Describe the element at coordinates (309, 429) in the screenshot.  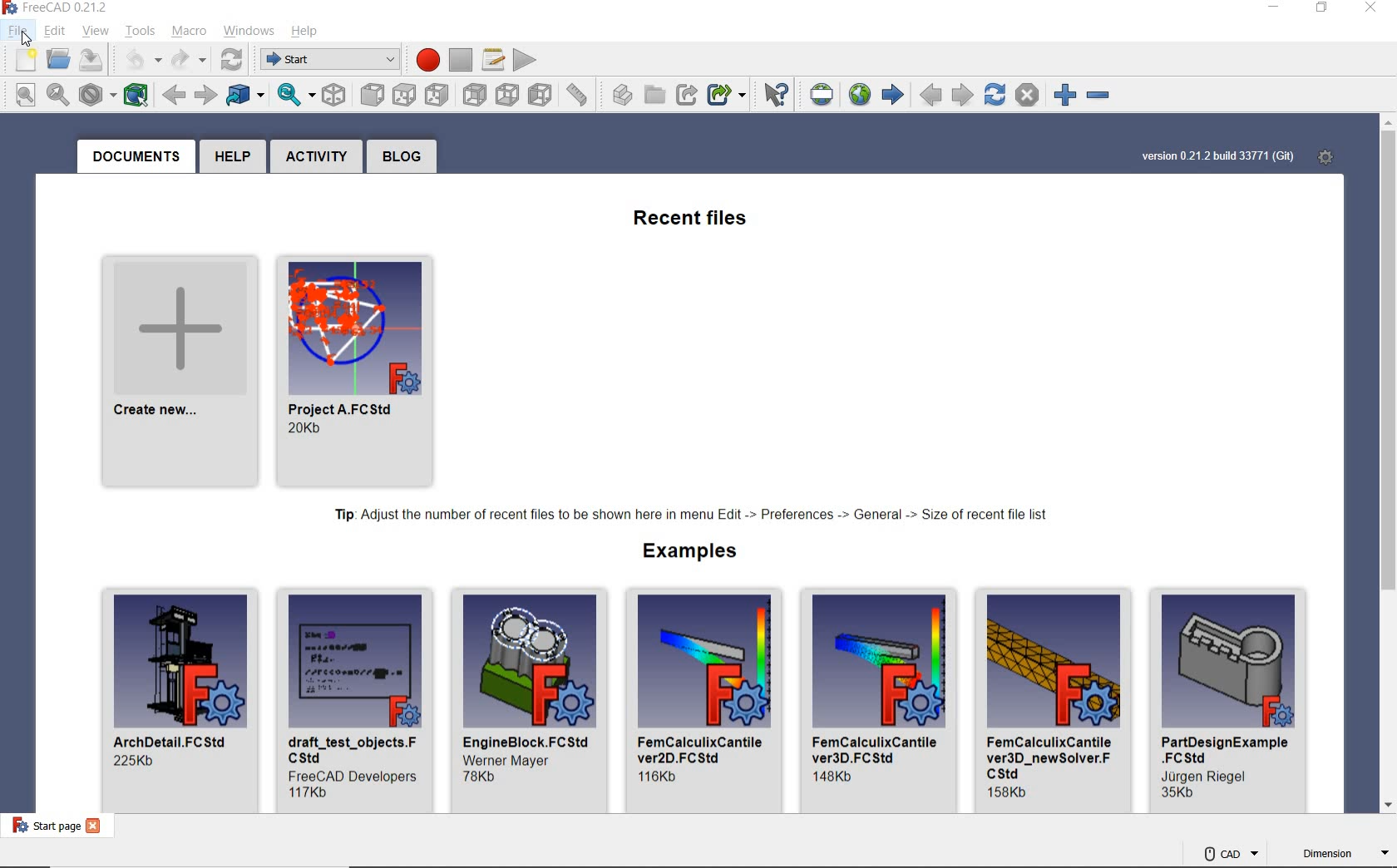
I see `size` at that location.